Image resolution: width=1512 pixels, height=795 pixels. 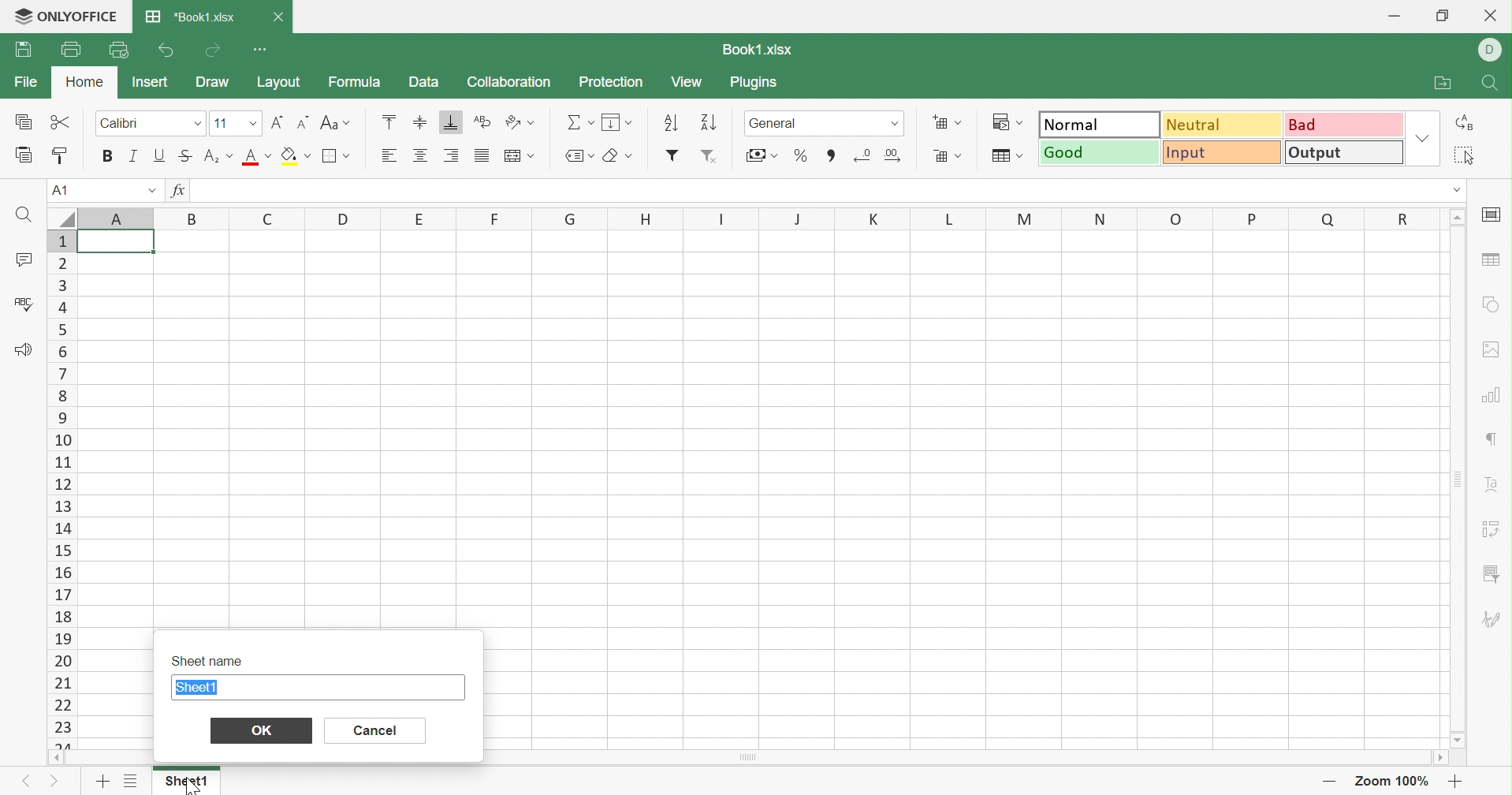 I want to click on Select all, so click(x=1465, y=156).